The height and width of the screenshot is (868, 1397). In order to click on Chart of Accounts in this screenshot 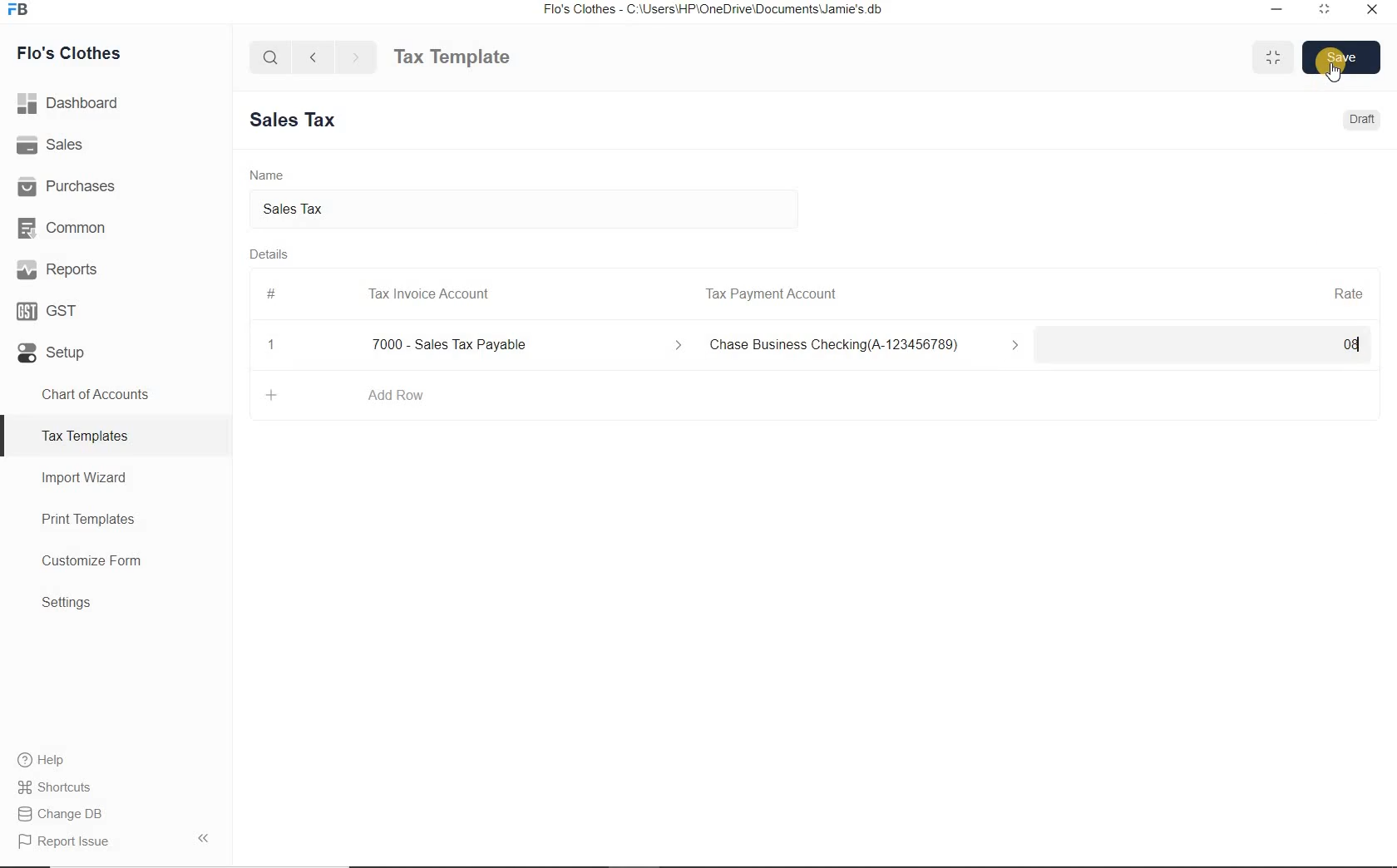, I will do `click(115, 394)`.